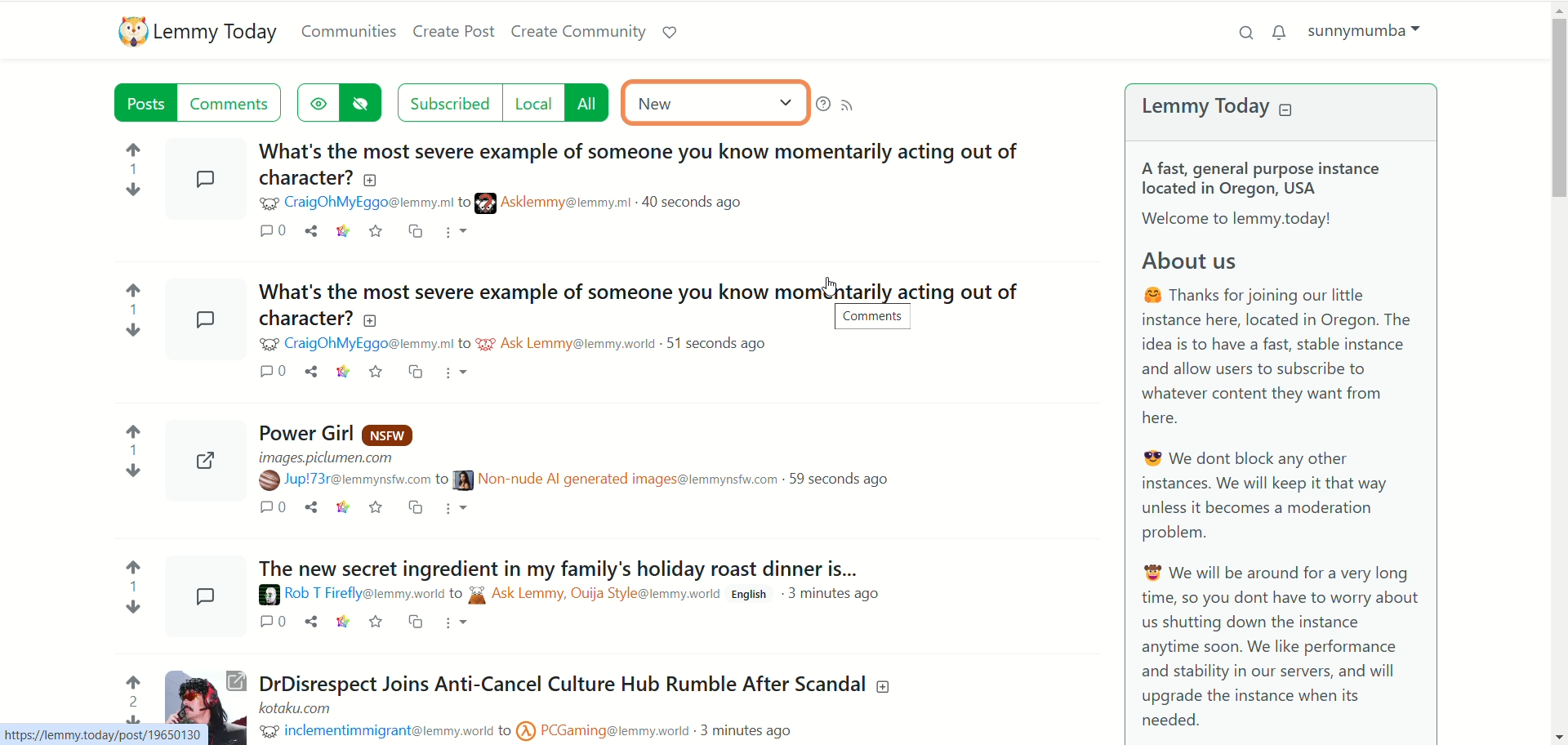 The image size is (1568, 745). What do you see at coordinates (851, 105) in the screenshot?
I see `RSS` at bounding box center [851, 105].